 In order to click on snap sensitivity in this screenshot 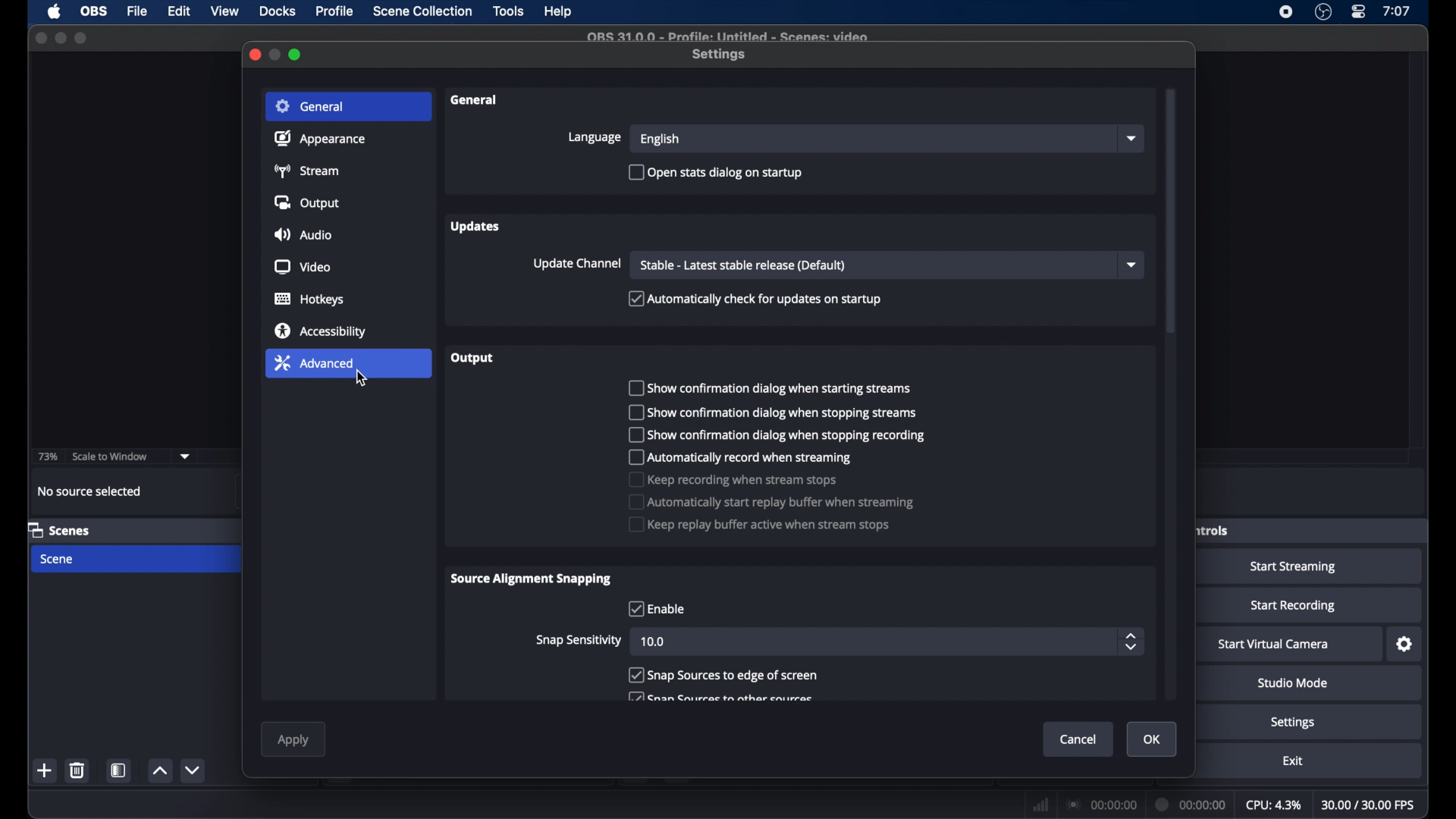, I will do `click(579, 640)`.